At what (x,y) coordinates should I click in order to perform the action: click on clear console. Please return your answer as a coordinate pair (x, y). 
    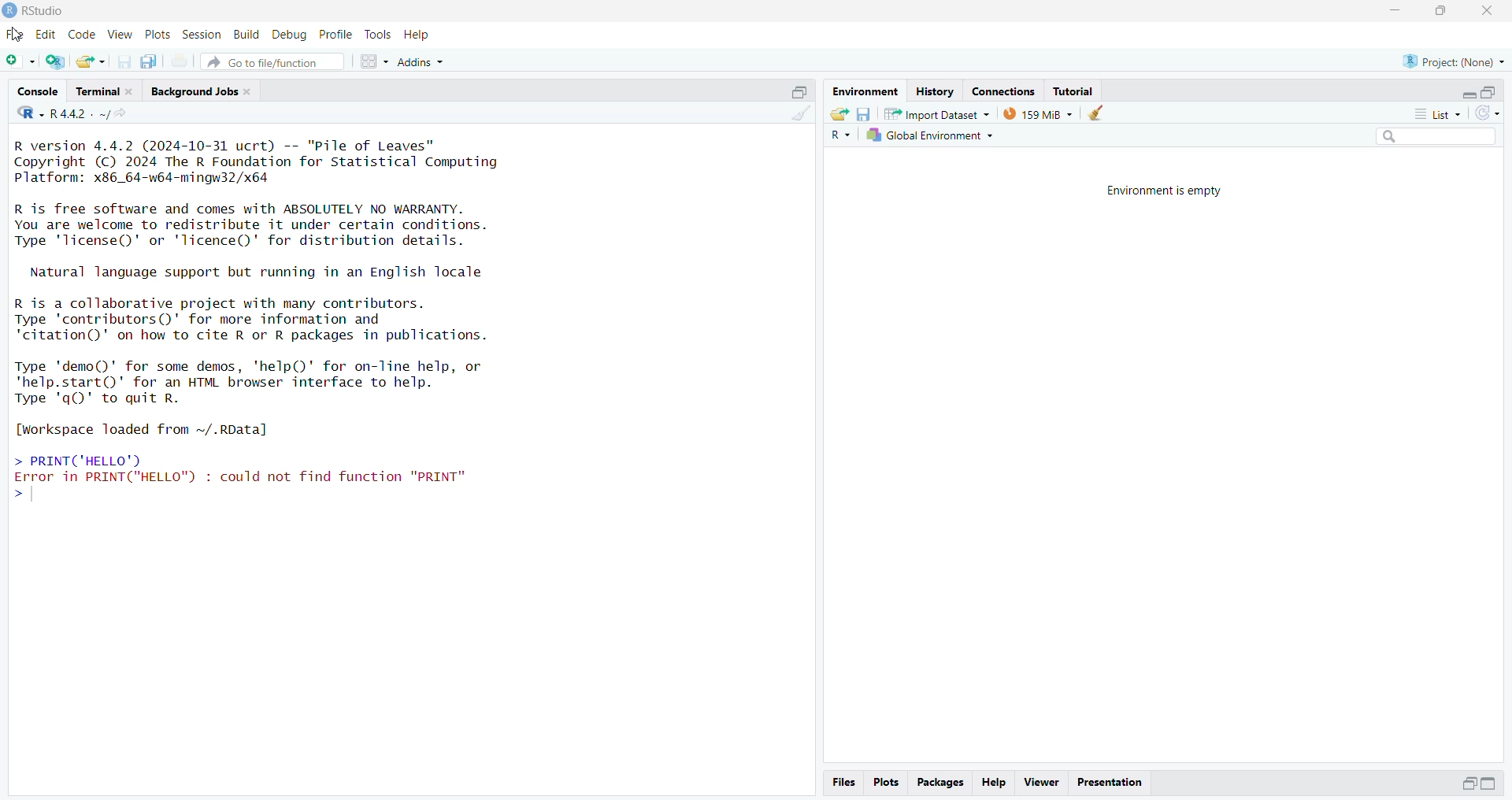
    Looking at the image, I should click on (799, 115).